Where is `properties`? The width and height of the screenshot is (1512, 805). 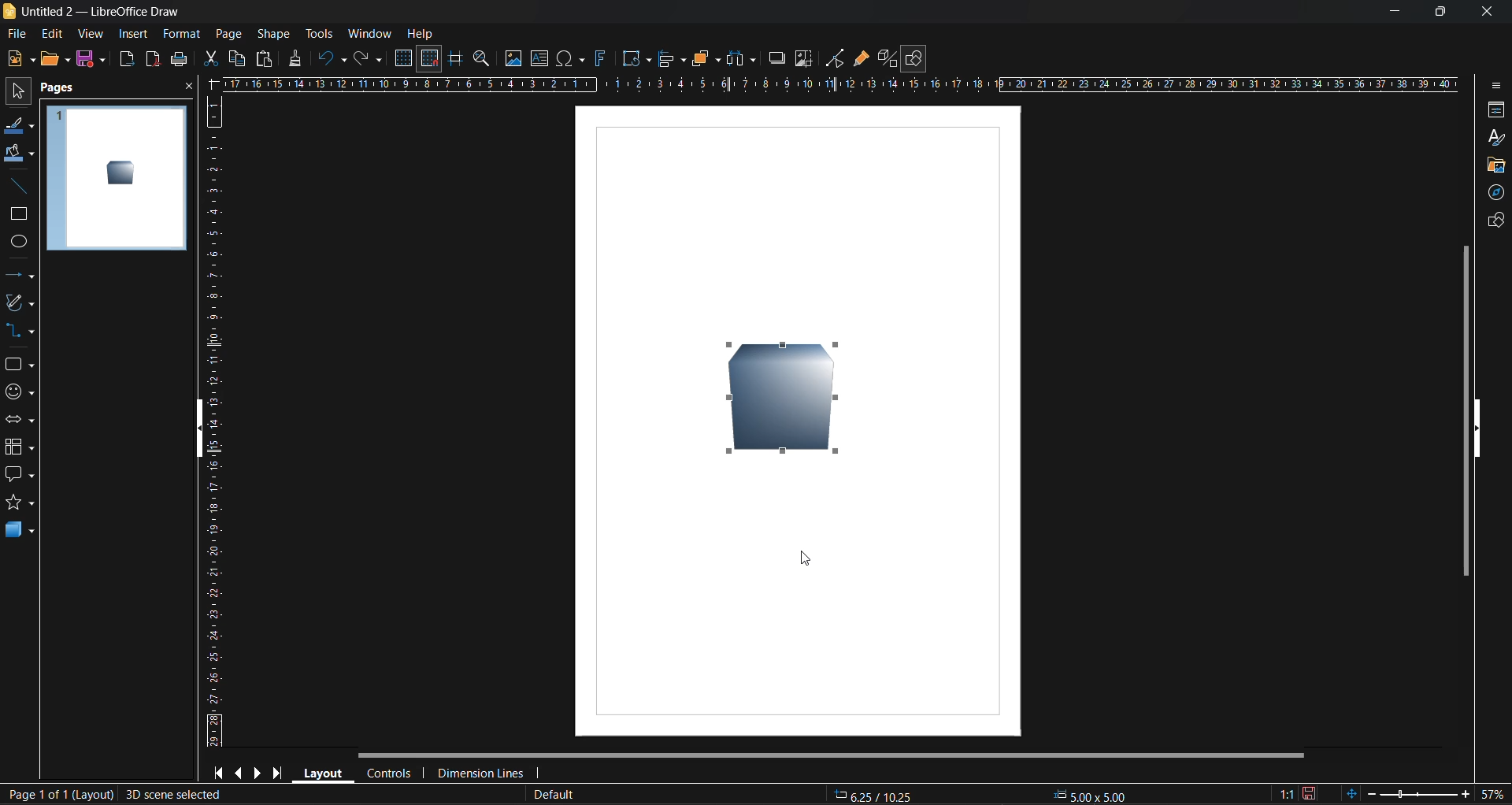 properties is located at coordinates (1493, 111).